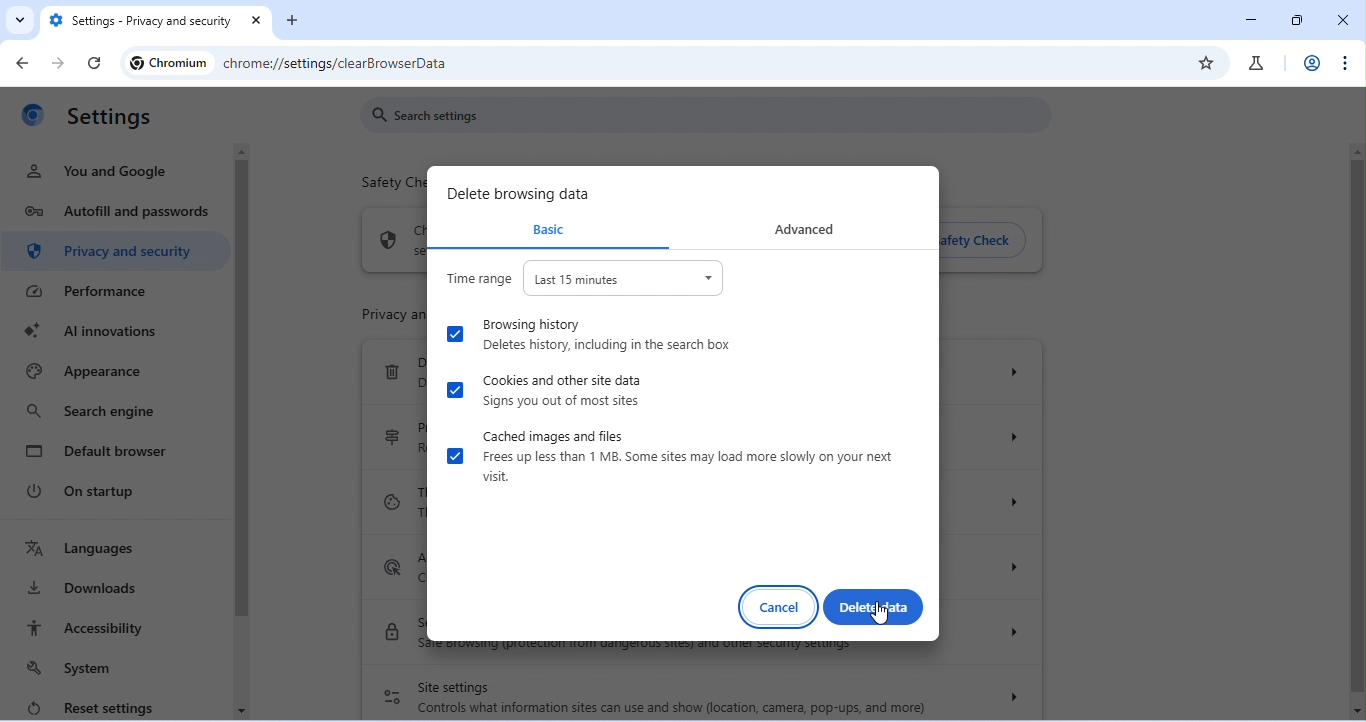  I want to click on drop down, so click(1007, 630).